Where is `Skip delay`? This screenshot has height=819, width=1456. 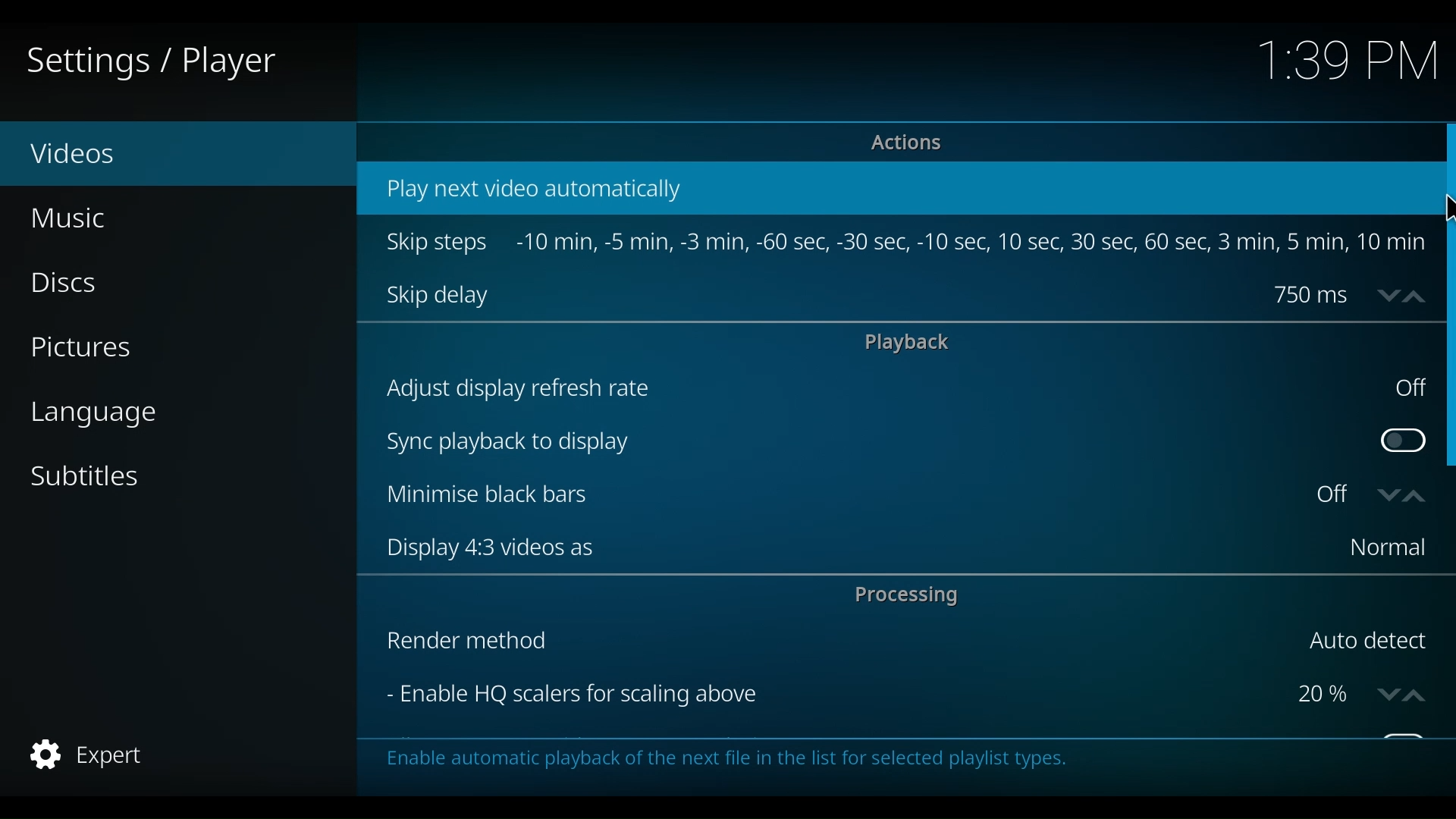 Skip delay is located at coordinates (438, 297).